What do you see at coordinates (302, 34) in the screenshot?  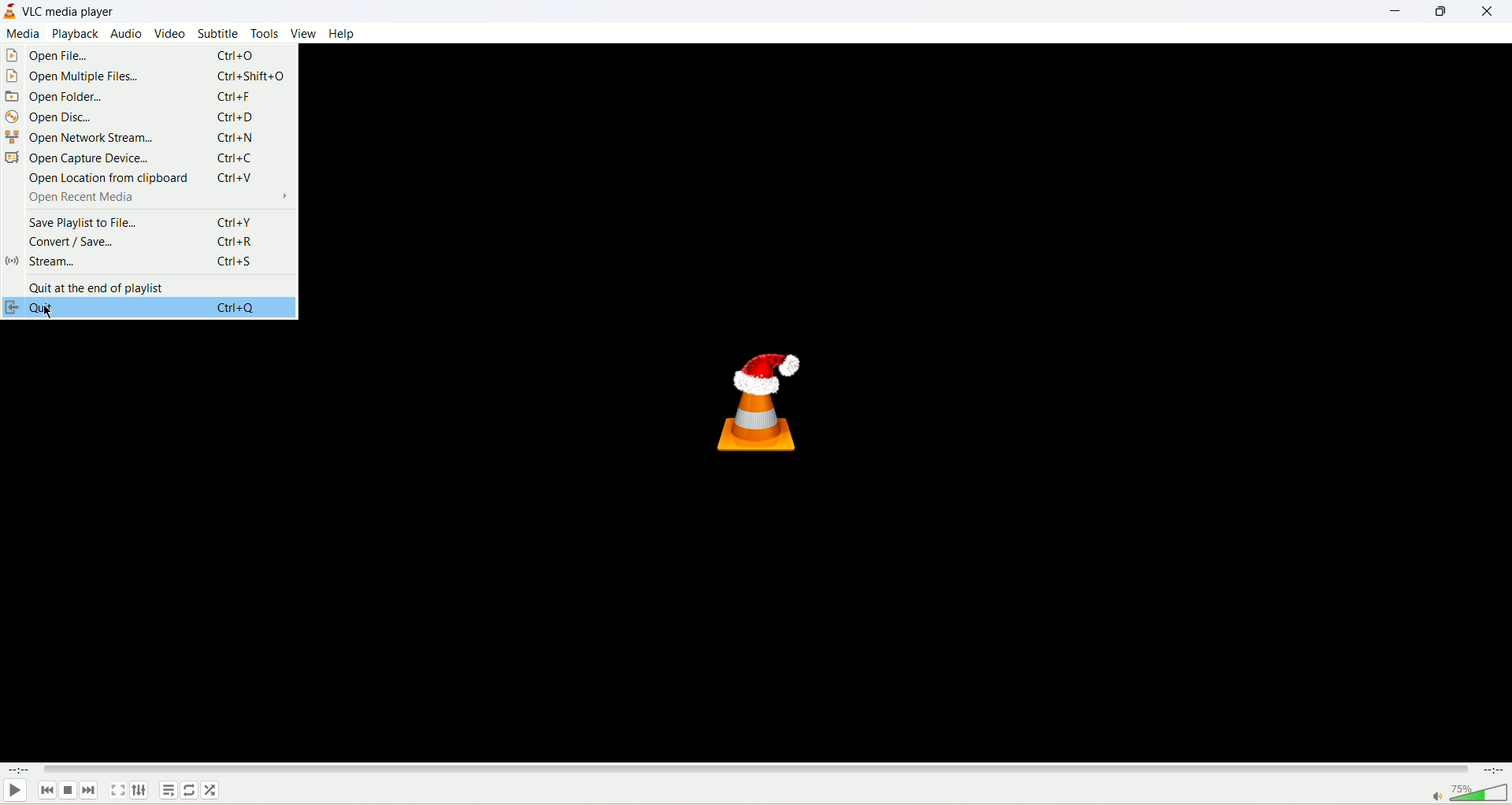 I see `view` at bounding box center [302, 34].